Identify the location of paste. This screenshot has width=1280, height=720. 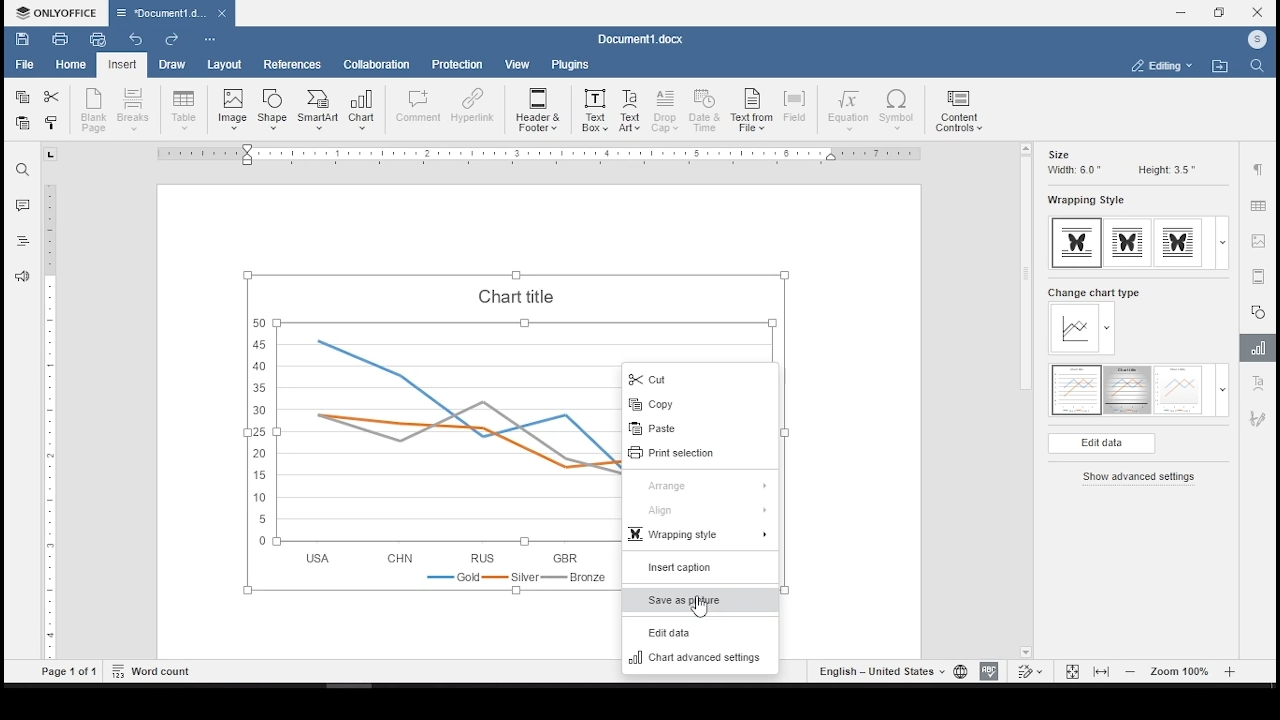
(24, 124).